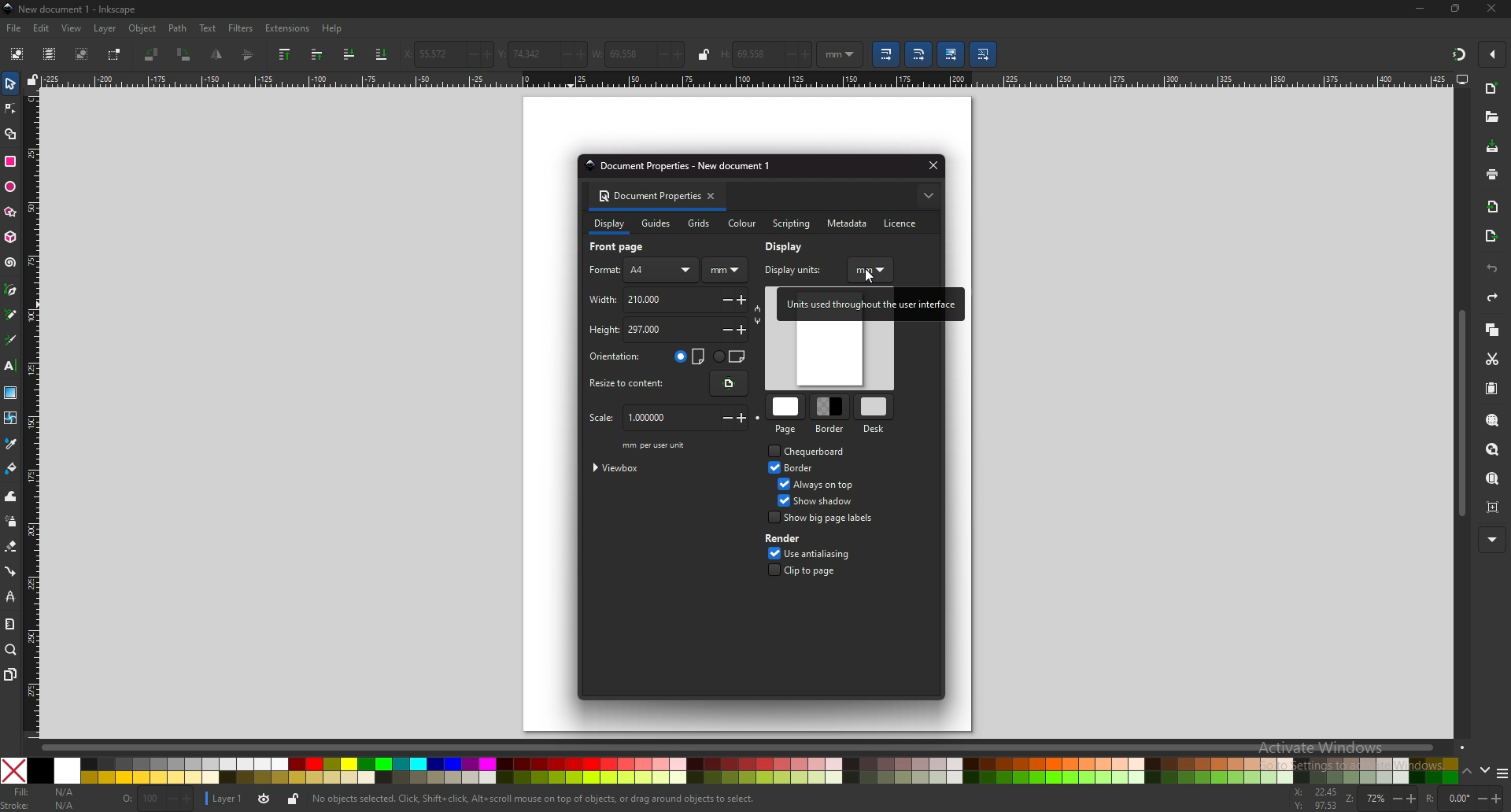 This screenshot has width=1511, height=812. I want to click on view, so click(74, 28).